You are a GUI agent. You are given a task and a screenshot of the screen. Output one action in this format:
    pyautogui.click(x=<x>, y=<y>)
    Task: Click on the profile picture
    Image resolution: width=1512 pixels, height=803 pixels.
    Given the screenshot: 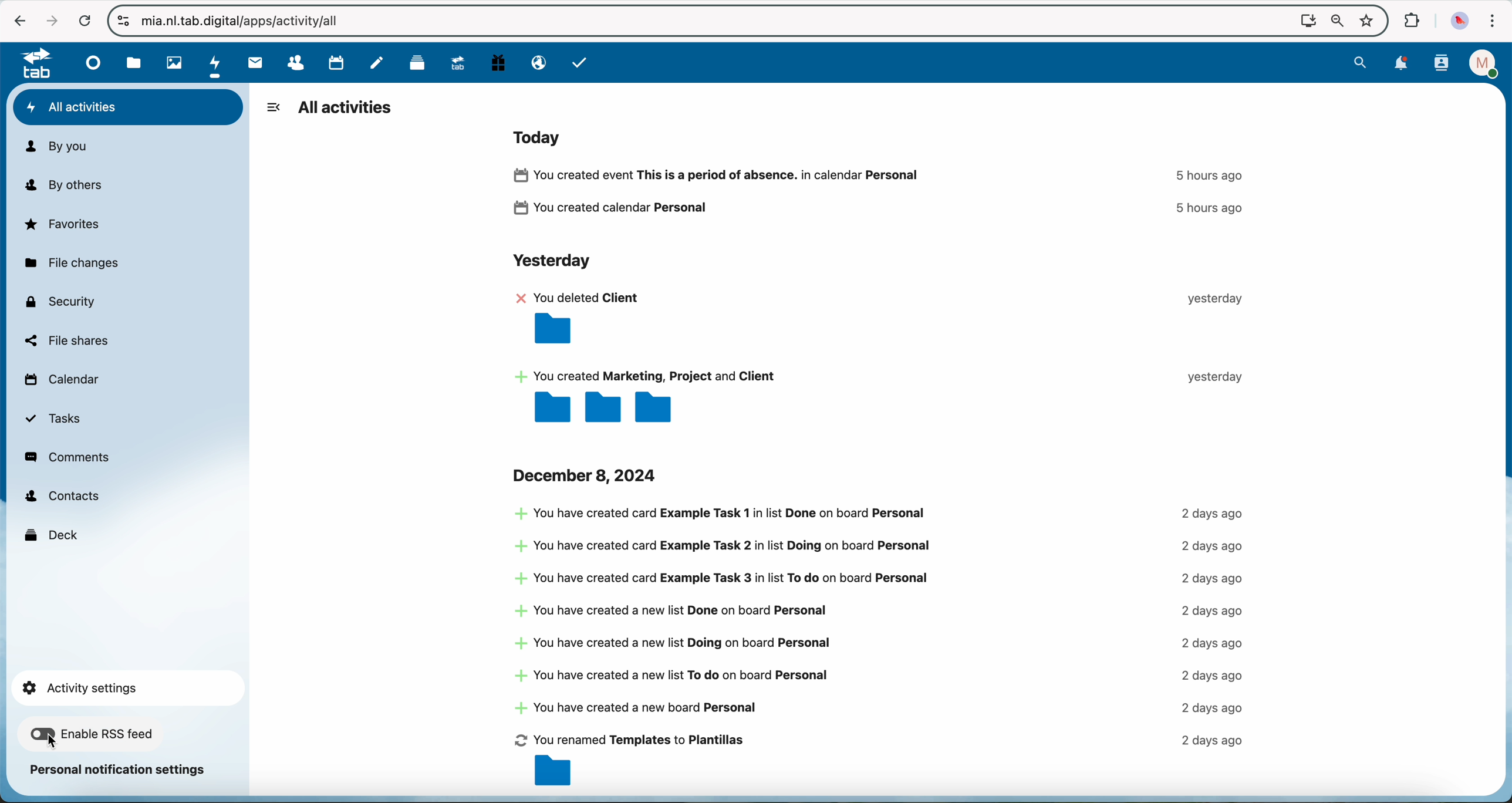 What is the action you would take?
    pyautogui.click(x=1461, y=22)
    